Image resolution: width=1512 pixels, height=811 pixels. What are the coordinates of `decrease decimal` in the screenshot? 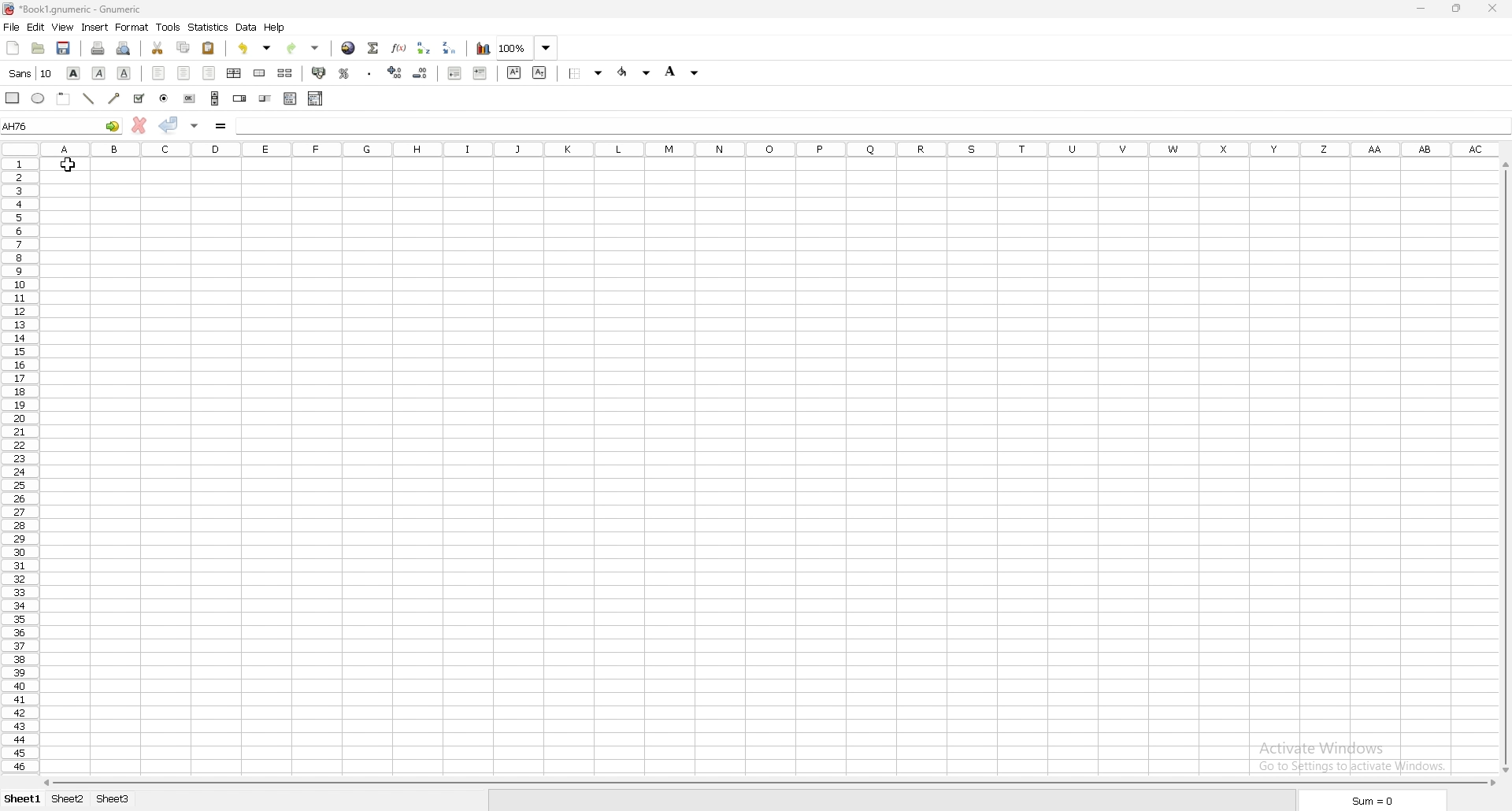 It's located at (420, 72).